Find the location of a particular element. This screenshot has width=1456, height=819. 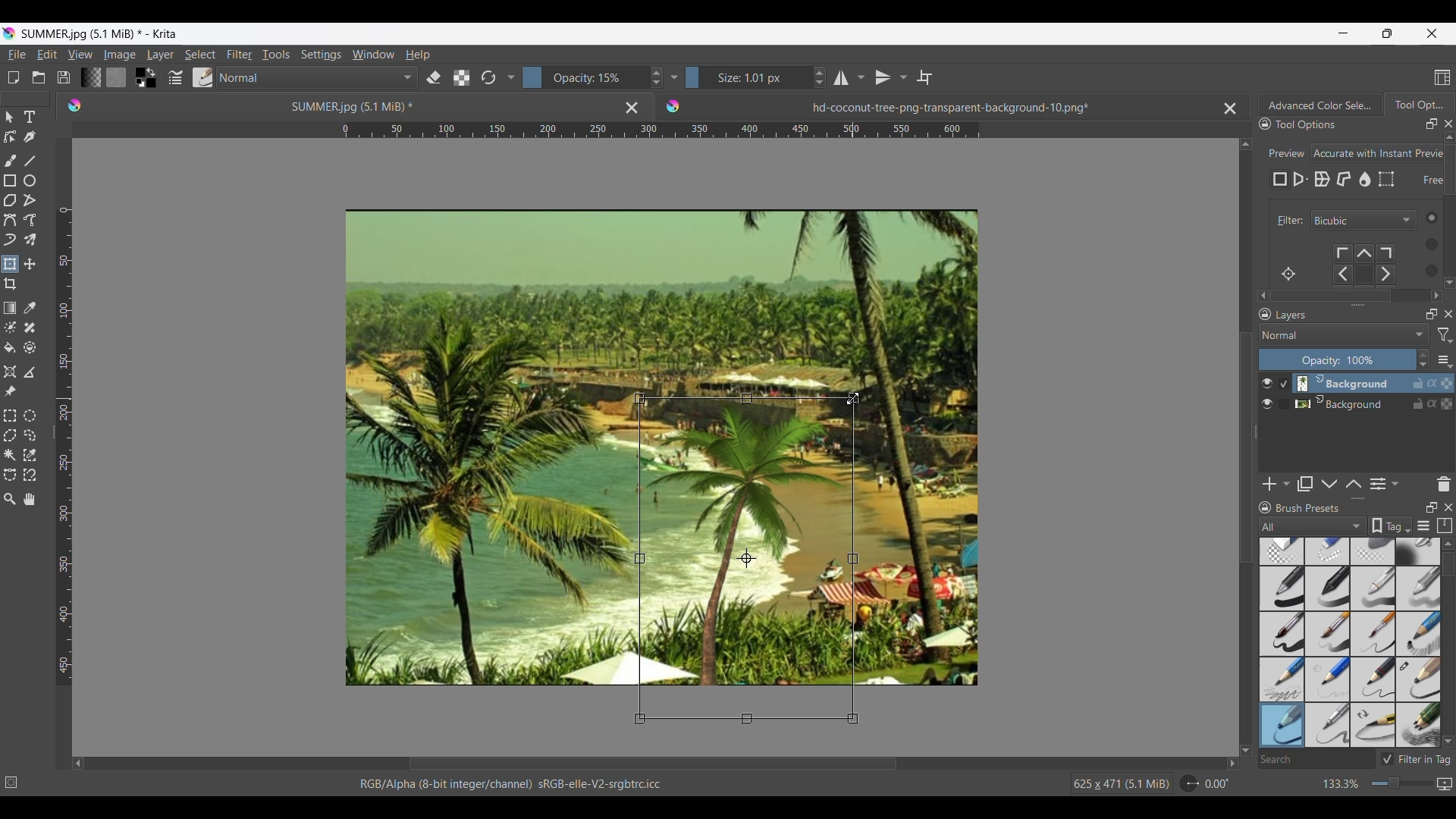

Lock layer is located at coordinates (1418, 383).